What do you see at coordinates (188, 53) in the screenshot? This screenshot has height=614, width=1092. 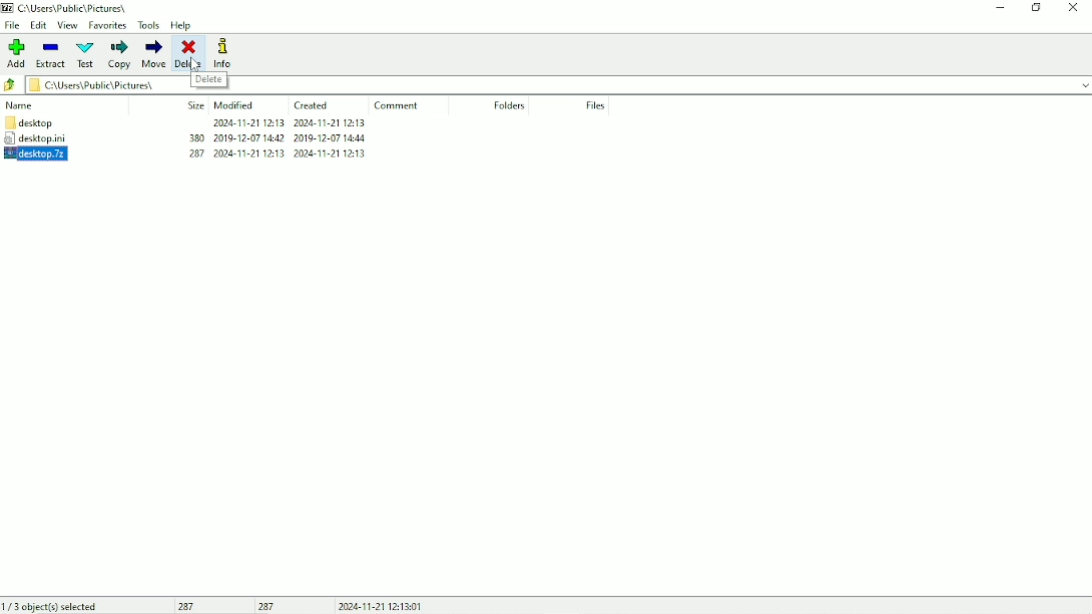 I see `Delete` at bounding box center [188, 53].